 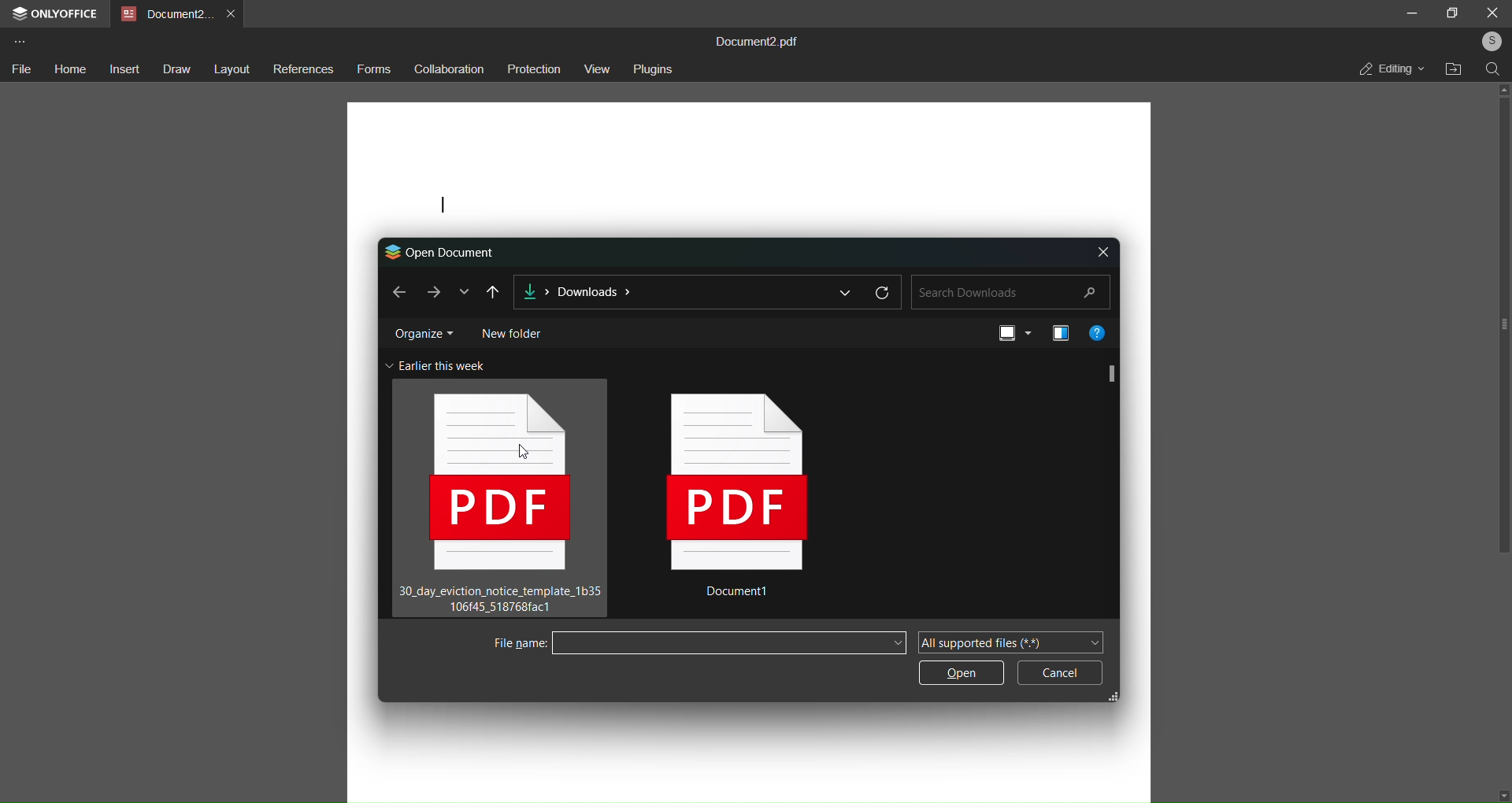 I want to click on selected file name, so click(x=730, y=643).